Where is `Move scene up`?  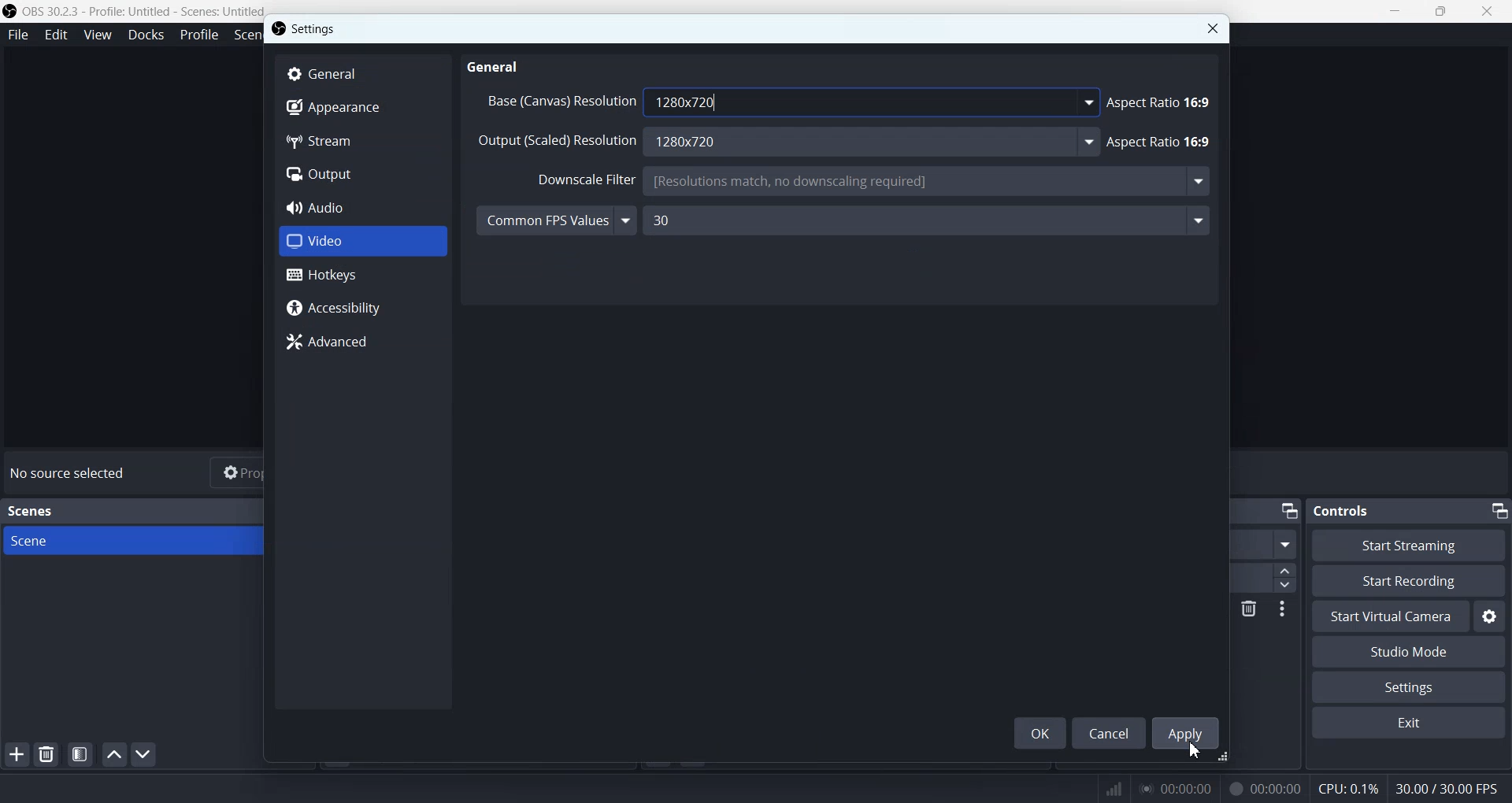
Move scene up is located at coordinates (113, 754).